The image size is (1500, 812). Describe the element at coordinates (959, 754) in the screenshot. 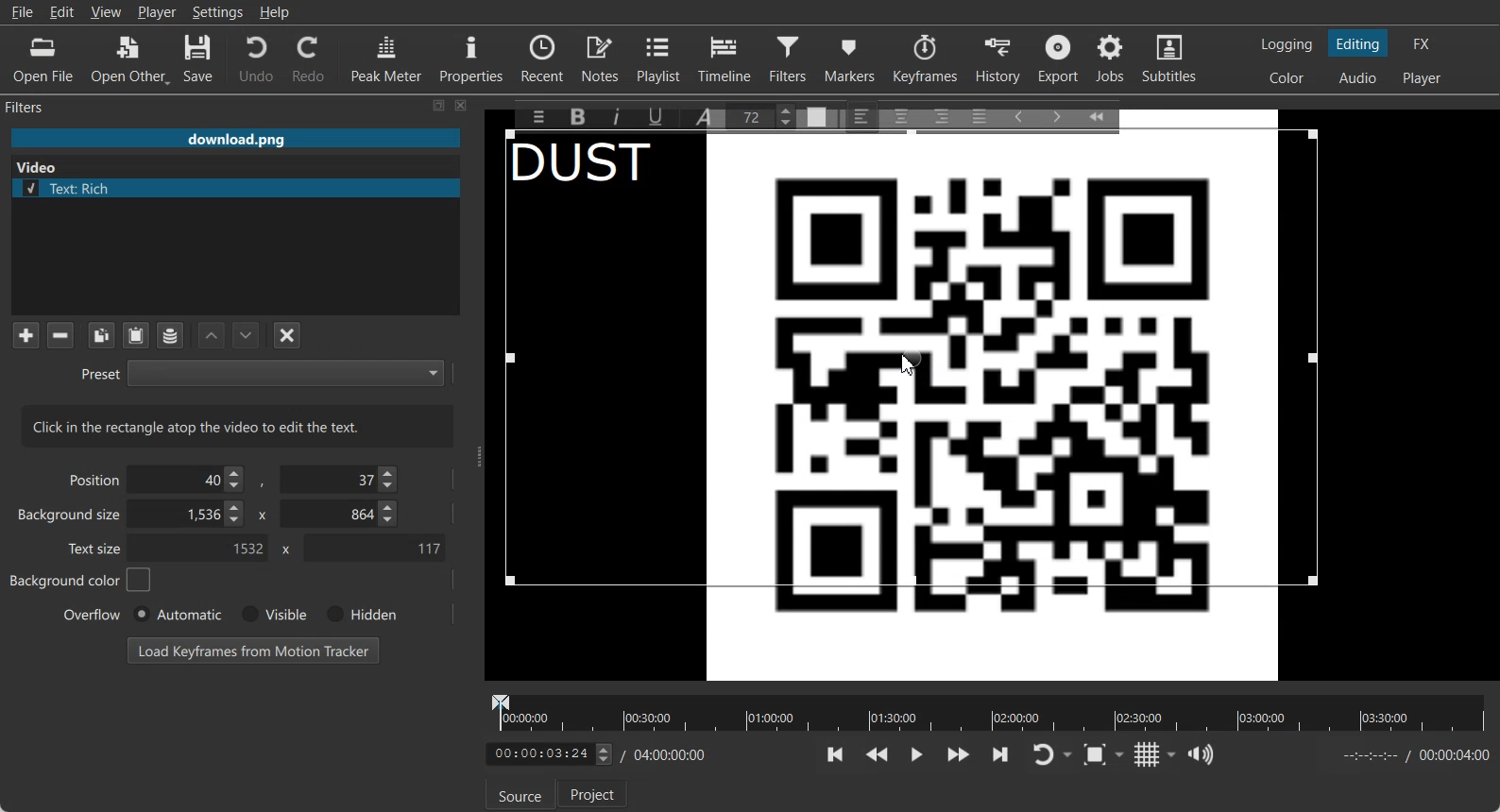

I see `Play Quickly Forward` at that location.